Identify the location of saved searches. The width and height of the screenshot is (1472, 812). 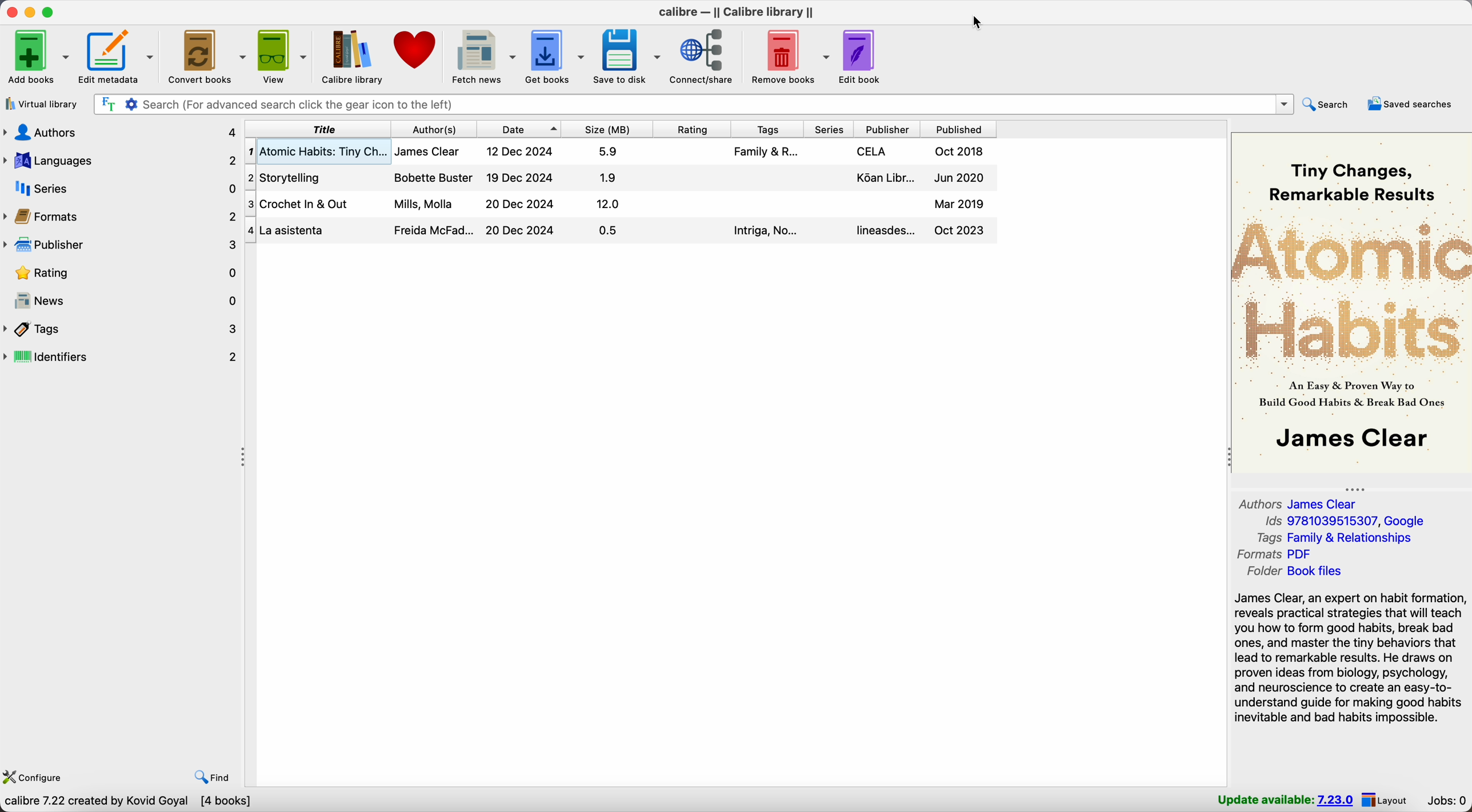
(1410, 105).